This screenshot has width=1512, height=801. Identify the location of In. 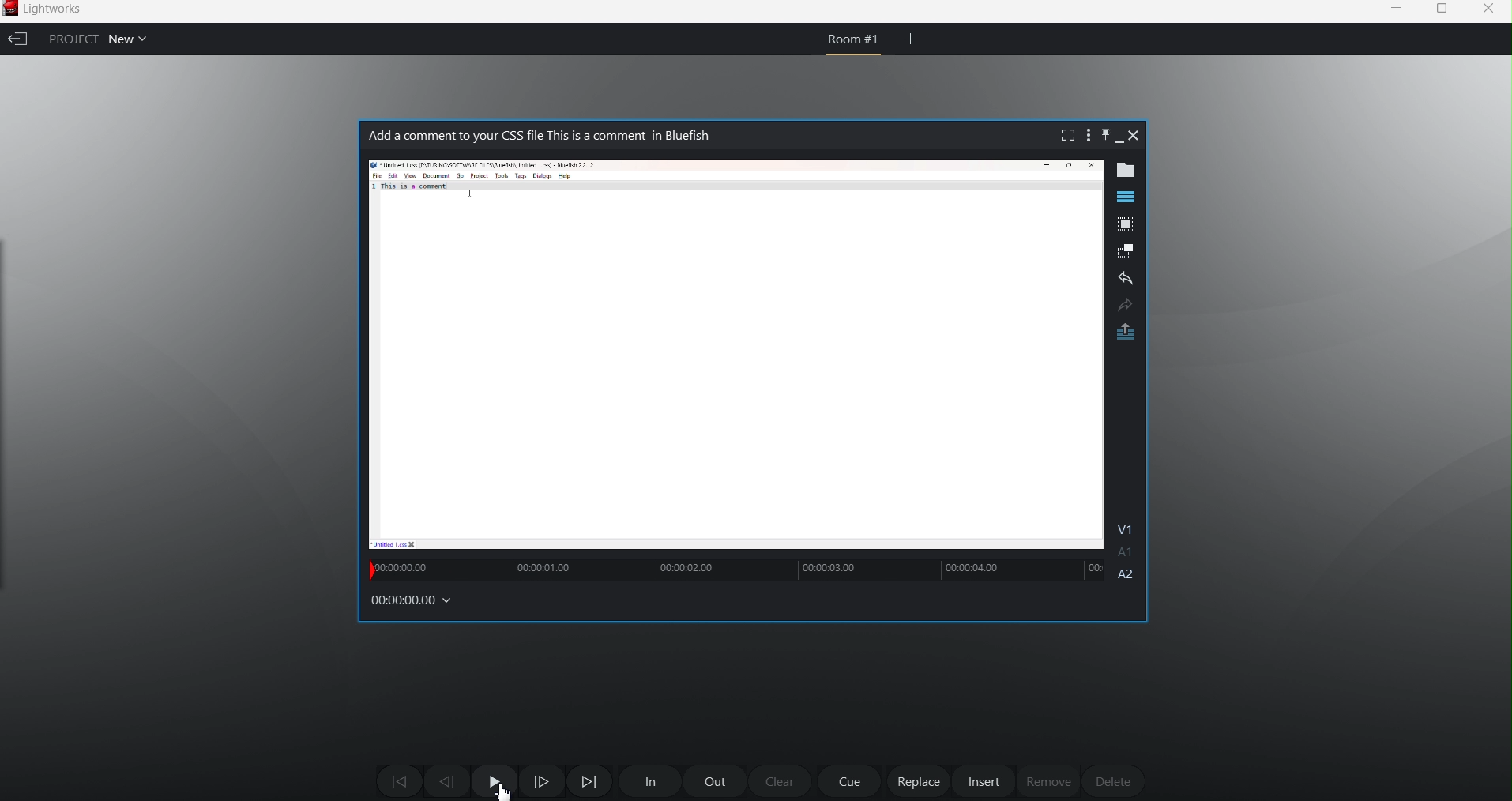
(647, 782).